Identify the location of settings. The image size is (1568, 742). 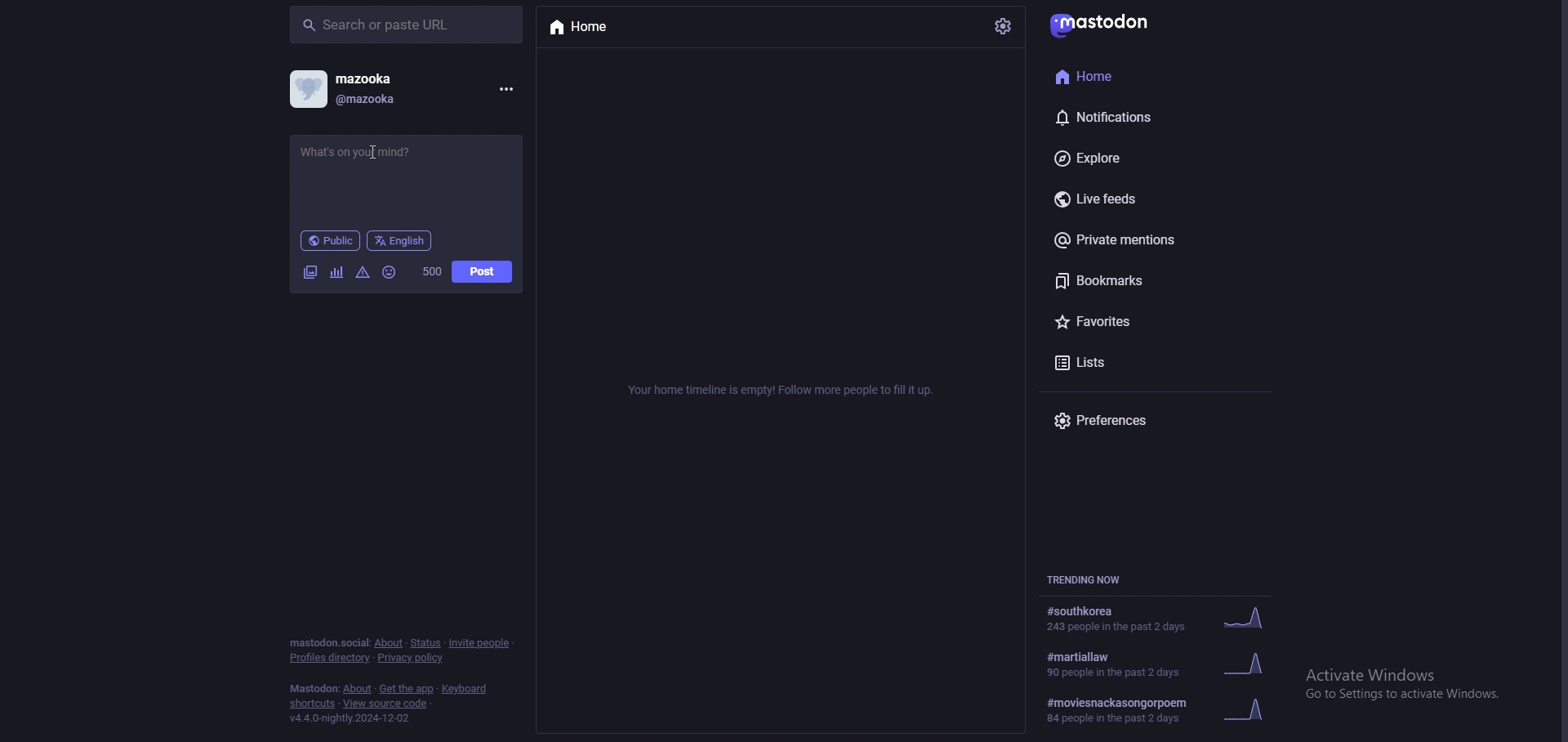
(1005, 26).